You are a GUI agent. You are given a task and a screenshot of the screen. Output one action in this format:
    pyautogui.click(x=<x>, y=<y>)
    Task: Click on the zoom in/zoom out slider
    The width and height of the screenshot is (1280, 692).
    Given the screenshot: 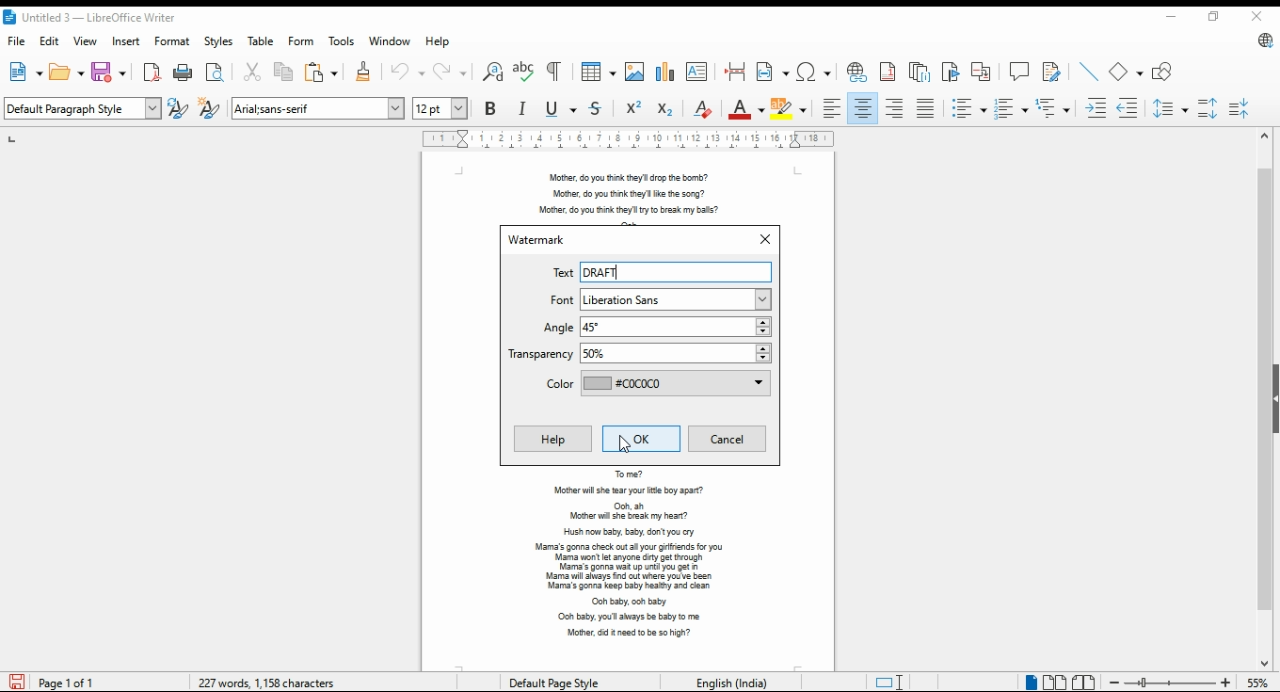 What is the action you would take?
    pyautogui.click(x=1170, y=683)
    